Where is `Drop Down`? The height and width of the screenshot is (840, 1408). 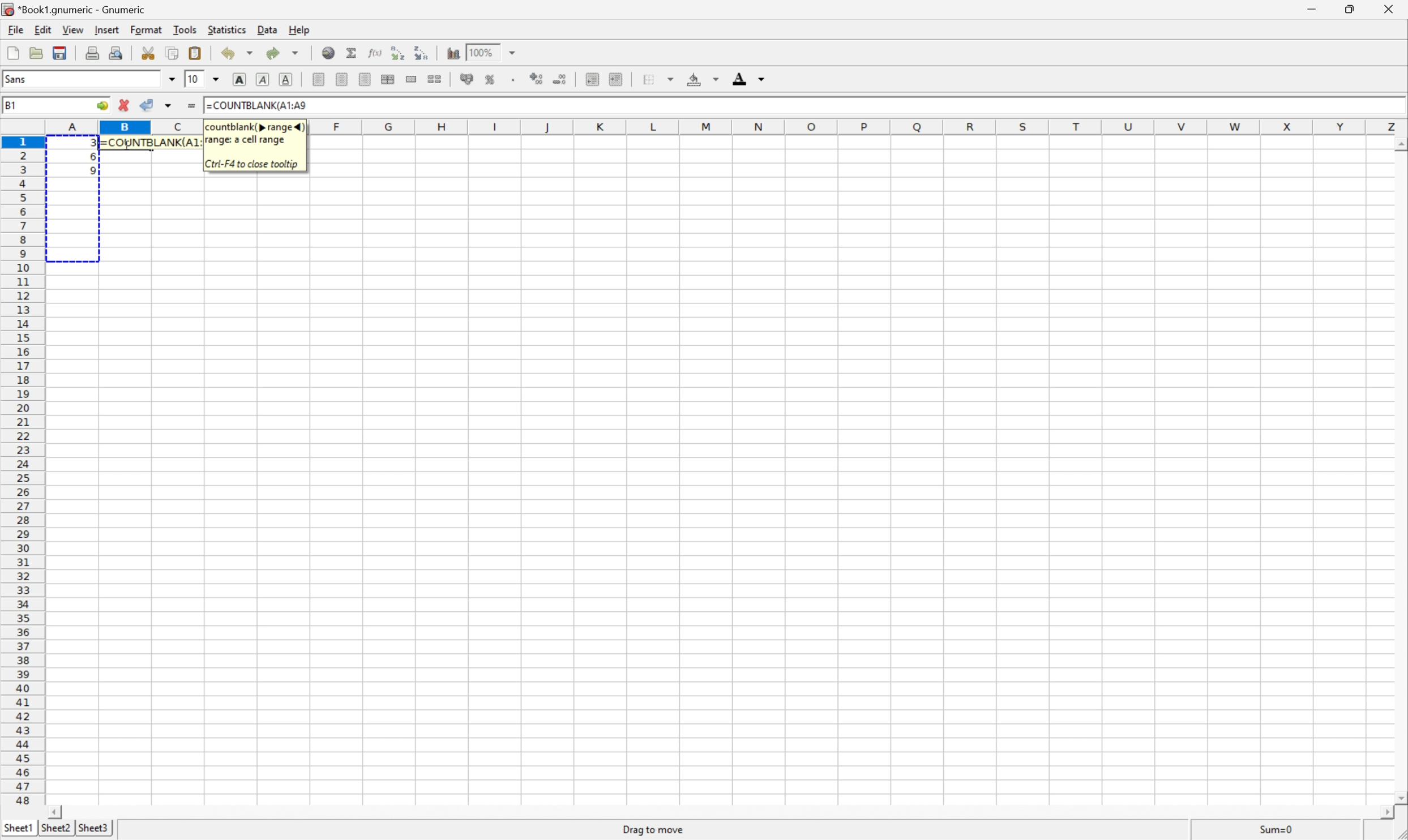 Drop Down is located at coordinates (172, 79).